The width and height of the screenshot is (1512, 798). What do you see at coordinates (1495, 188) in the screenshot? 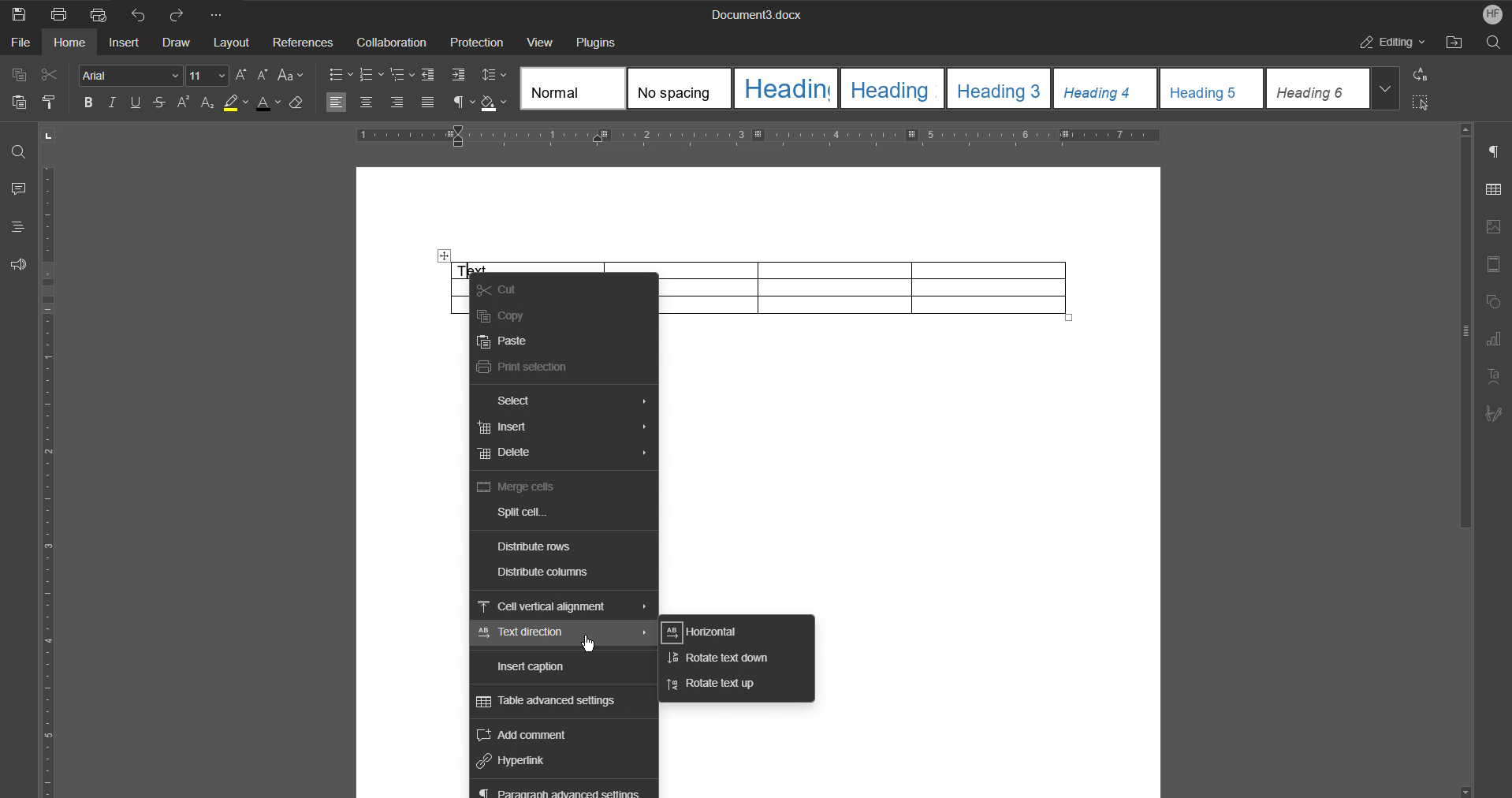
I see `Table Settings` at bounding box center [1495, 188].